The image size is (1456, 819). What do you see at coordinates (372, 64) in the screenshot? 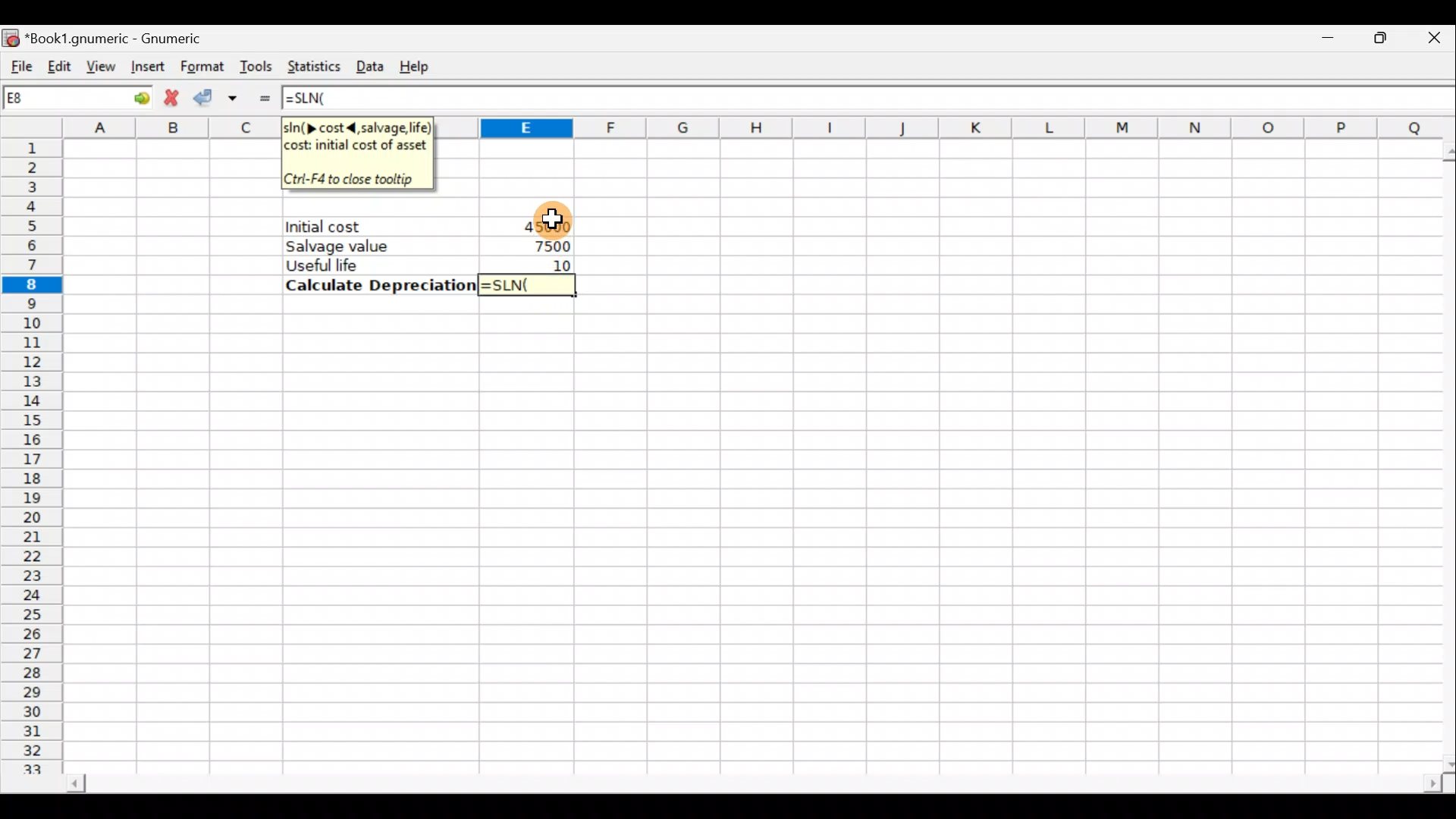
I see `Data` at bounding box center [372, 64].